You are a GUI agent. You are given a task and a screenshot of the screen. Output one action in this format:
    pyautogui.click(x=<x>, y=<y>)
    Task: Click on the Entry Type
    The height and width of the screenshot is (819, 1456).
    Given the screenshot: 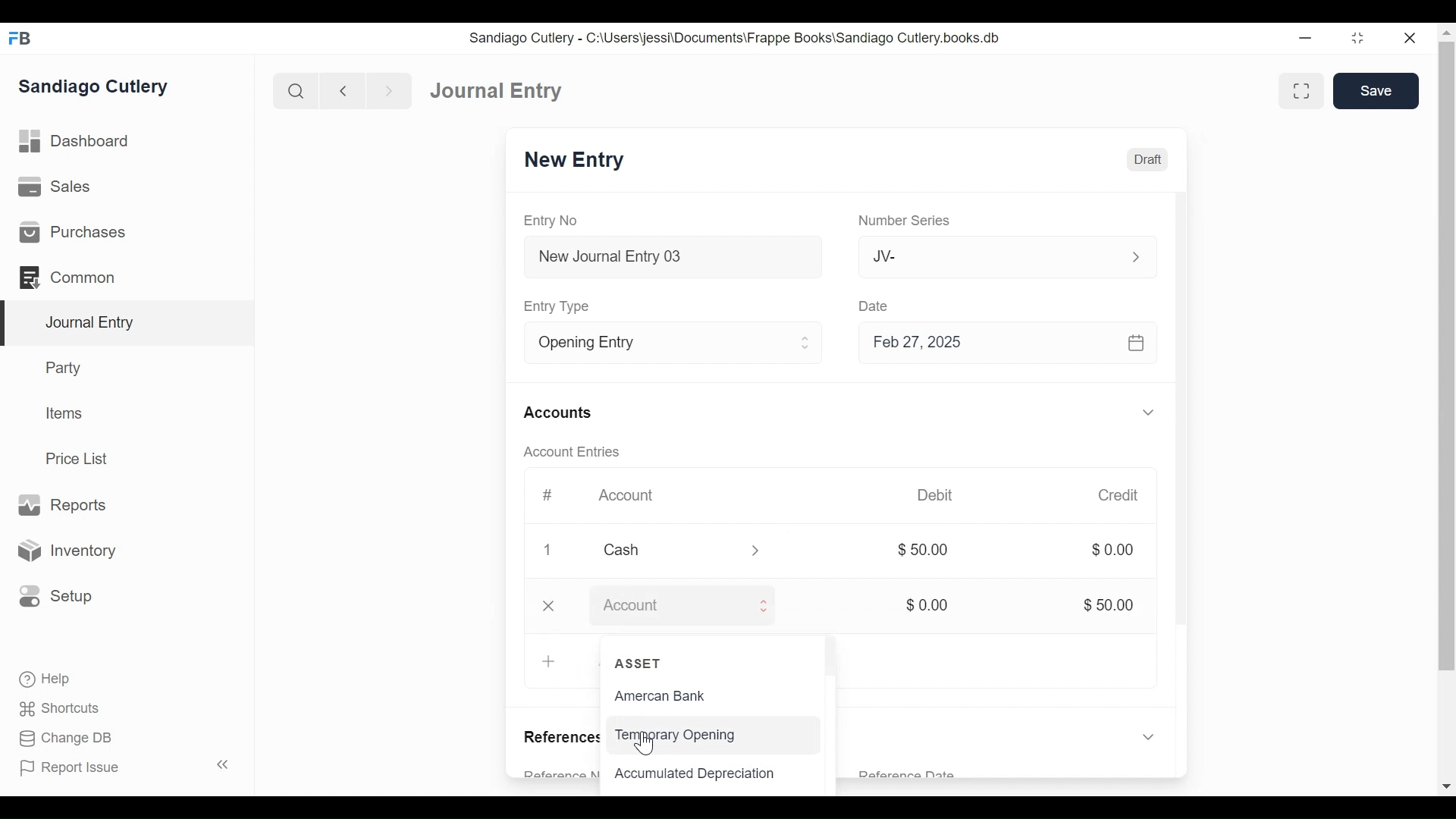 What is the action you would take?
    pyautogui.click(x=654, y=343)
    